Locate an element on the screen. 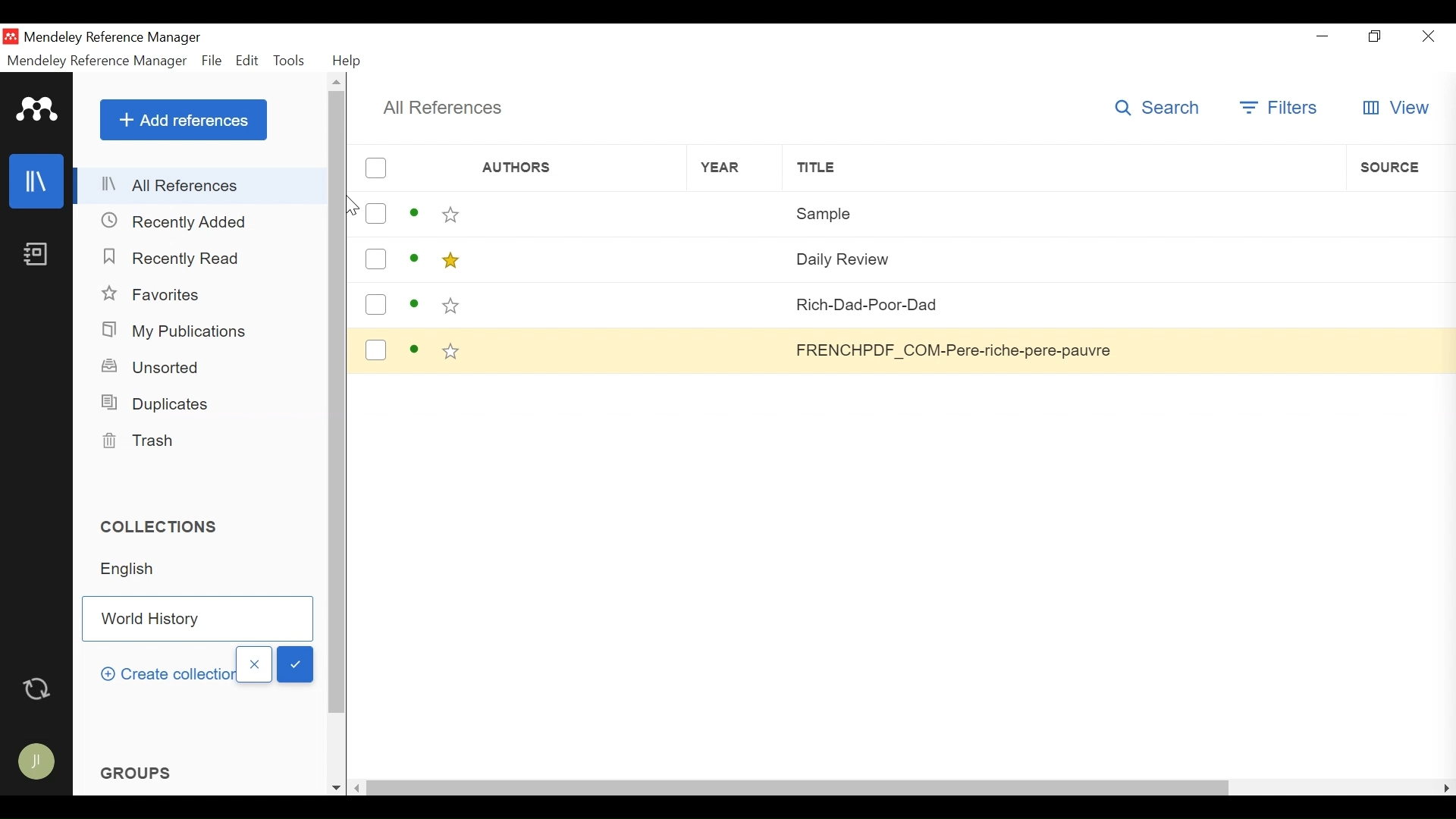  Source is located at coordinates (1395, 350).